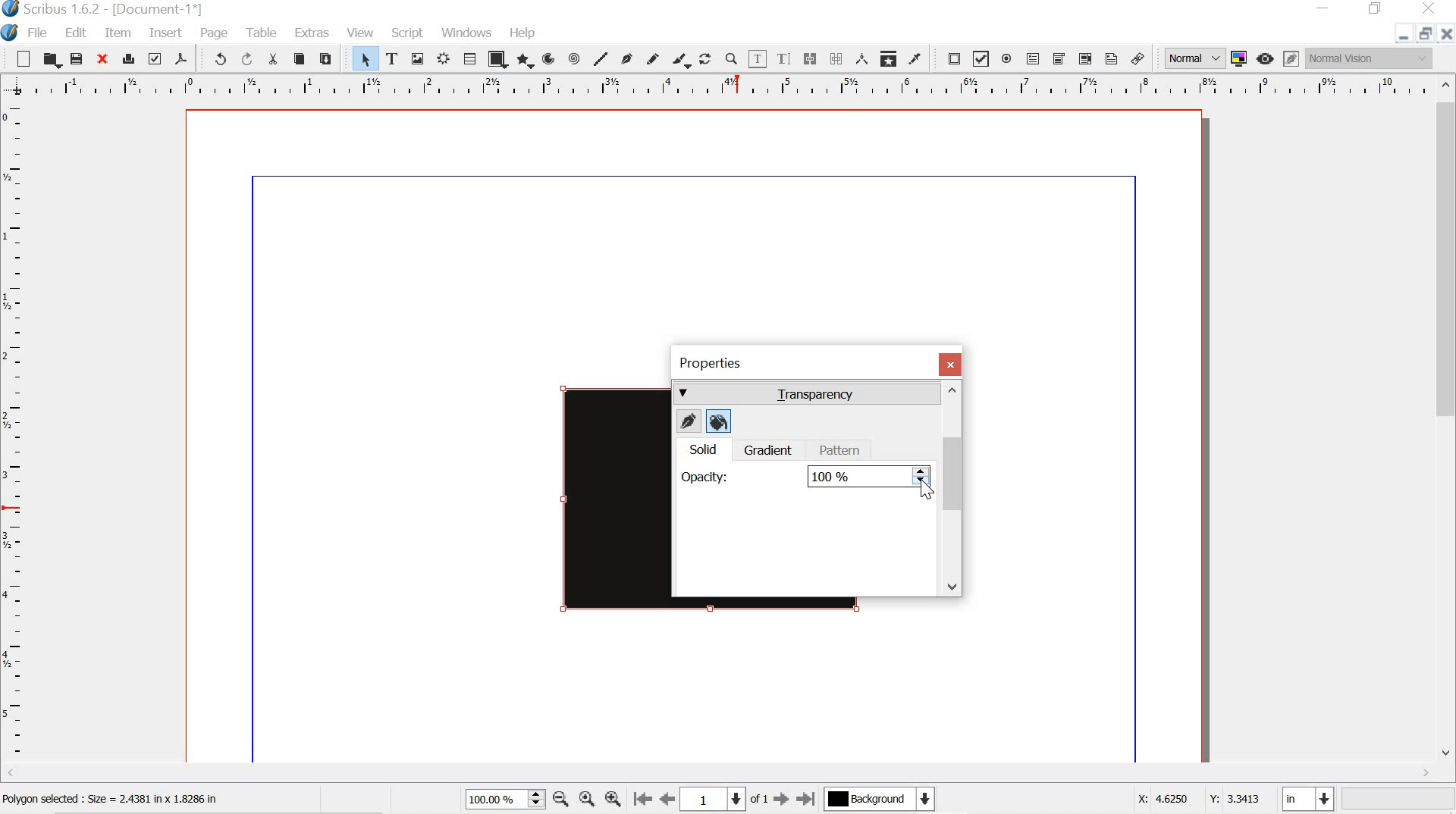 The width and height of the screenshot is (1456, 814). What do you see at coordinates (1291, 57) in the screenshot?
I see `edit in preview mode` at bounding box center [1291, 57].